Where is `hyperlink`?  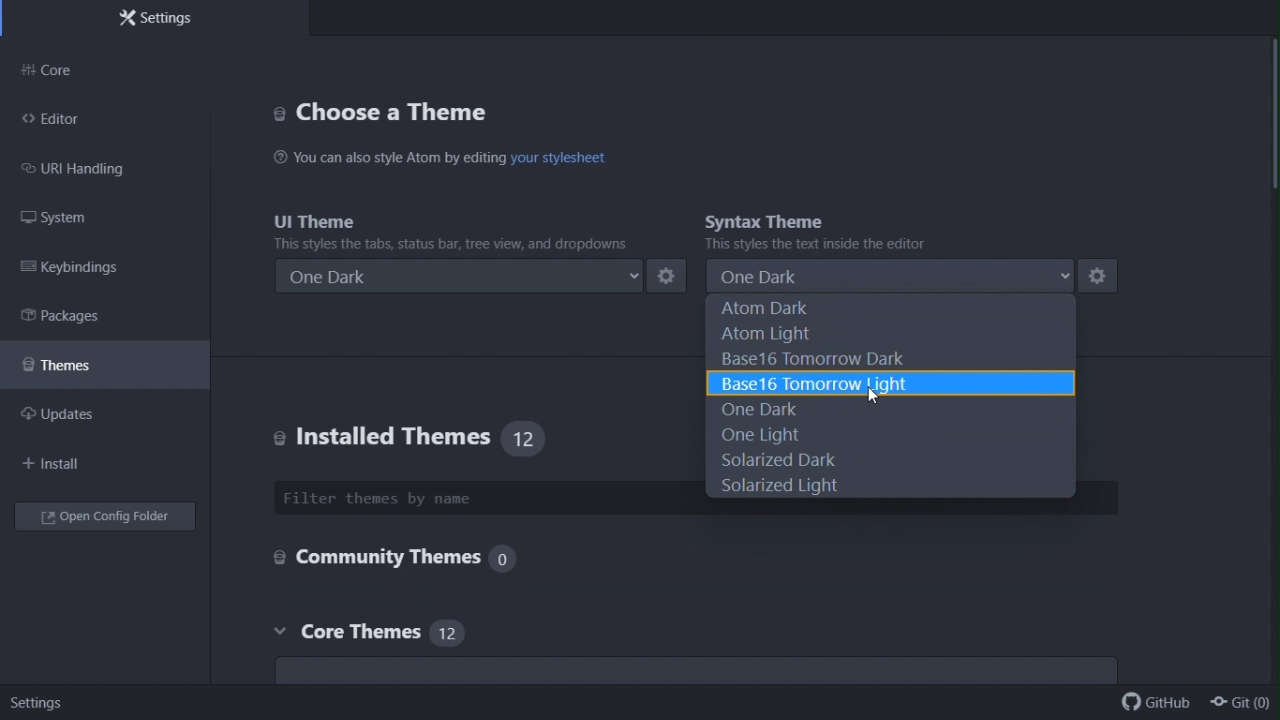 hyperlink is located at coordinates (556, 159).